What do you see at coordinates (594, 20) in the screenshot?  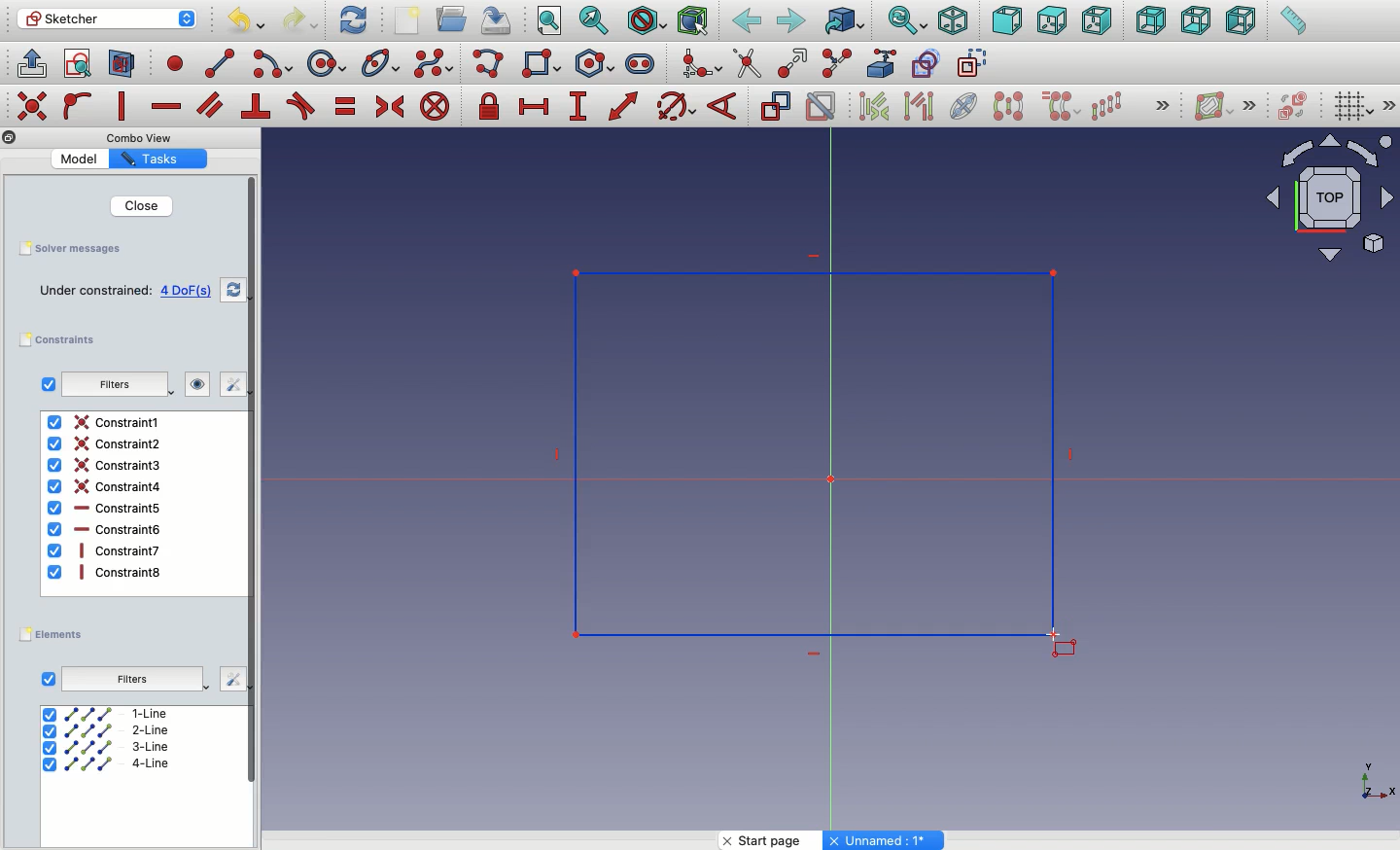 I see `Fit selection` at bounding box center [594, 20].